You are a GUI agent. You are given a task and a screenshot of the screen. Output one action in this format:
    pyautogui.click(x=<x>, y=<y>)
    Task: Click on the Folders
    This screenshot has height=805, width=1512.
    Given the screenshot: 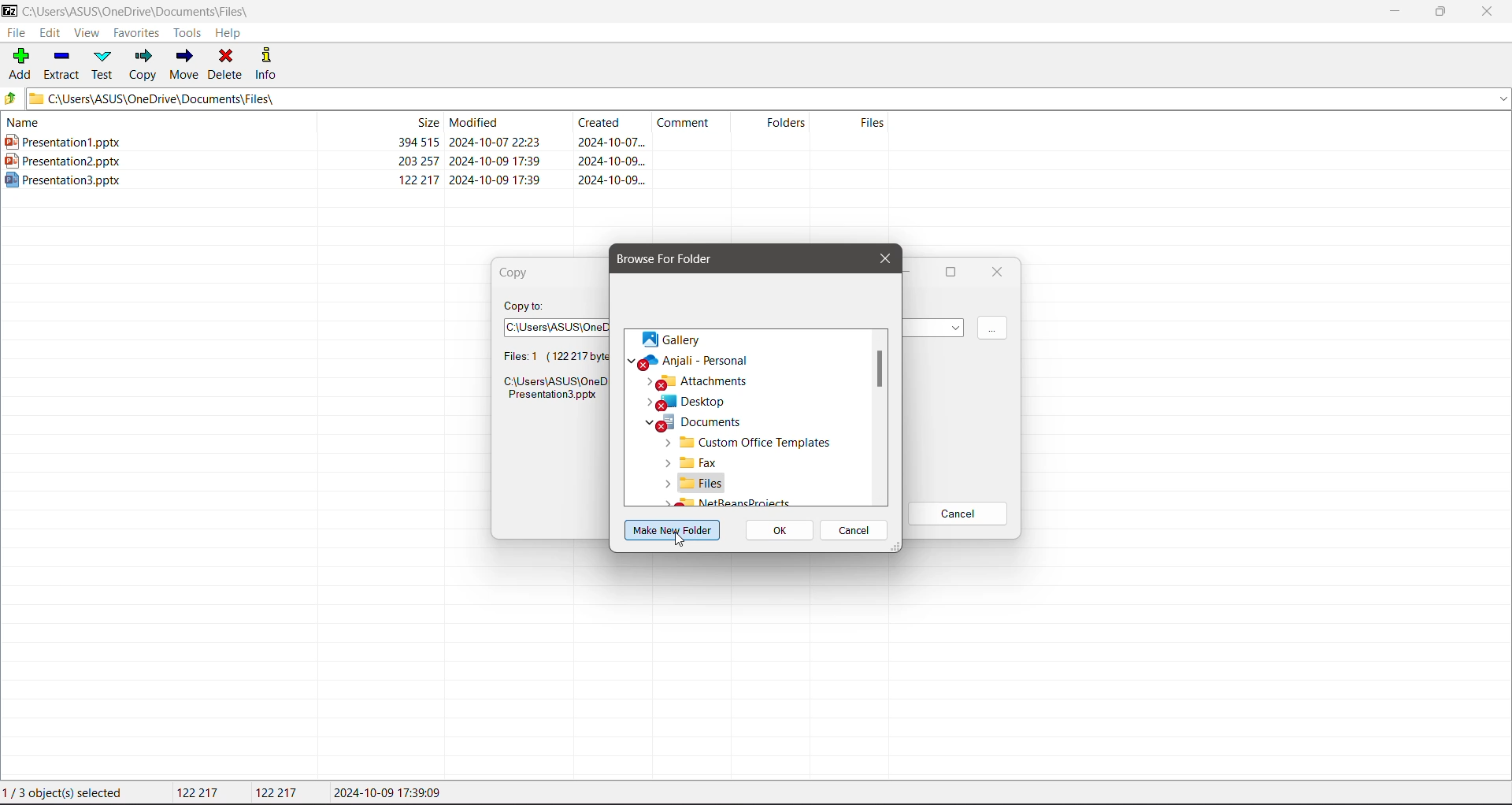 What is the action you would take?
    pyautogui.click(x=777, y=122)
    